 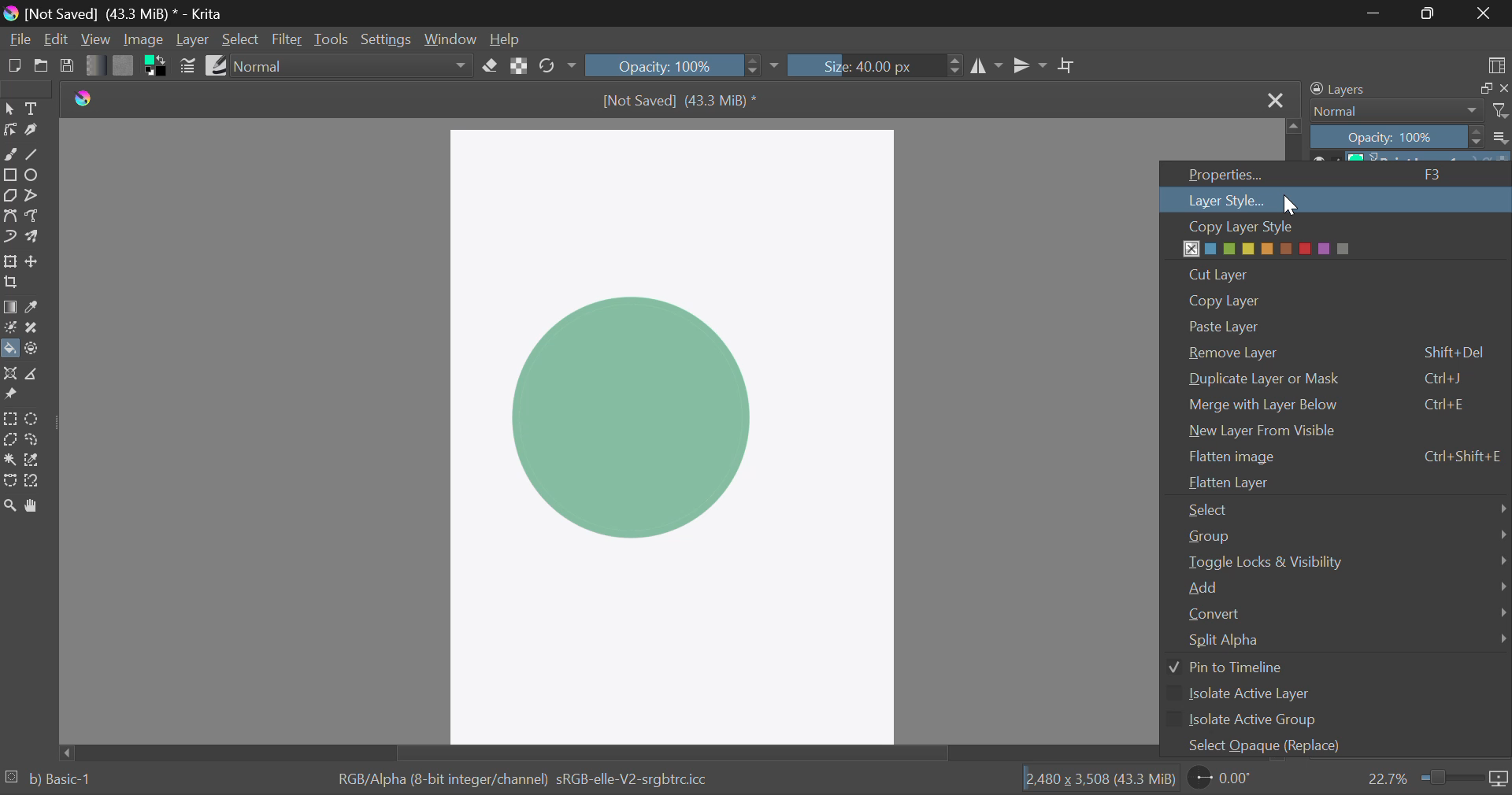 I want to click on Isolate Active Layer, so click(x=1243, y=693).